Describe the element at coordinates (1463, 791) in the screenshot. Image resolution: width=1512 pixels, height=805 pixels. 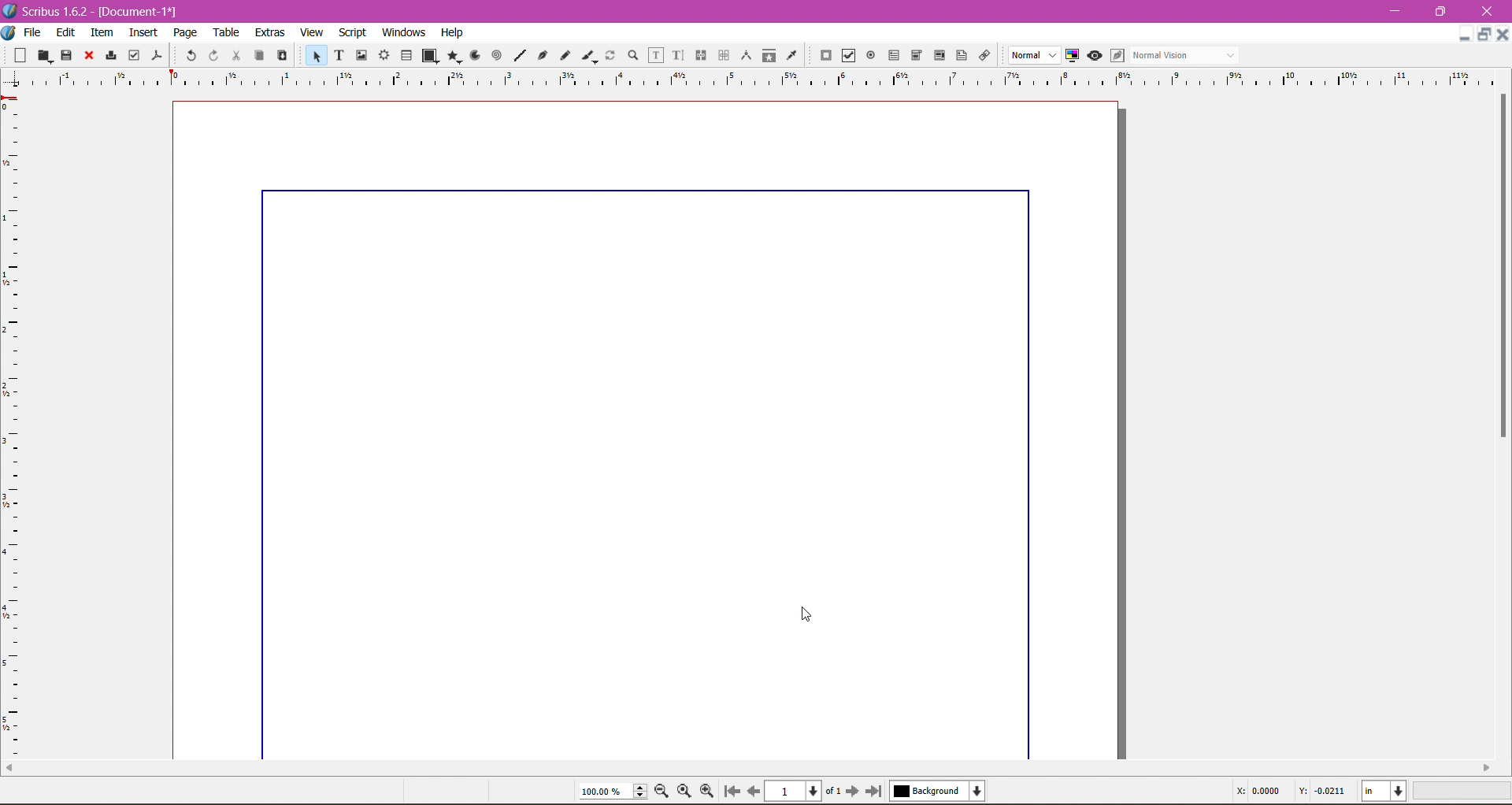
I see `Zoom Level` at that location.